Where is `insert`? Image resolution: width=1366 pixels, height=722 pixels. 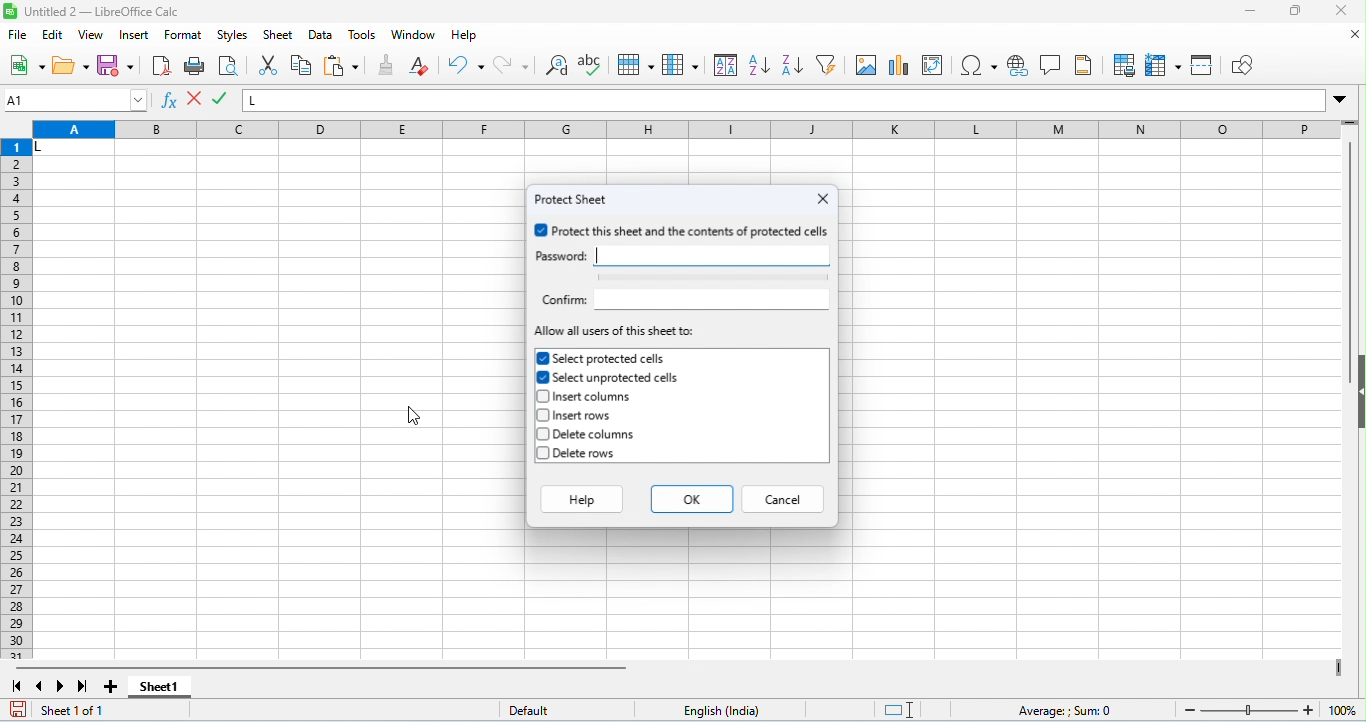 insert is located at coordinates (136, 36).